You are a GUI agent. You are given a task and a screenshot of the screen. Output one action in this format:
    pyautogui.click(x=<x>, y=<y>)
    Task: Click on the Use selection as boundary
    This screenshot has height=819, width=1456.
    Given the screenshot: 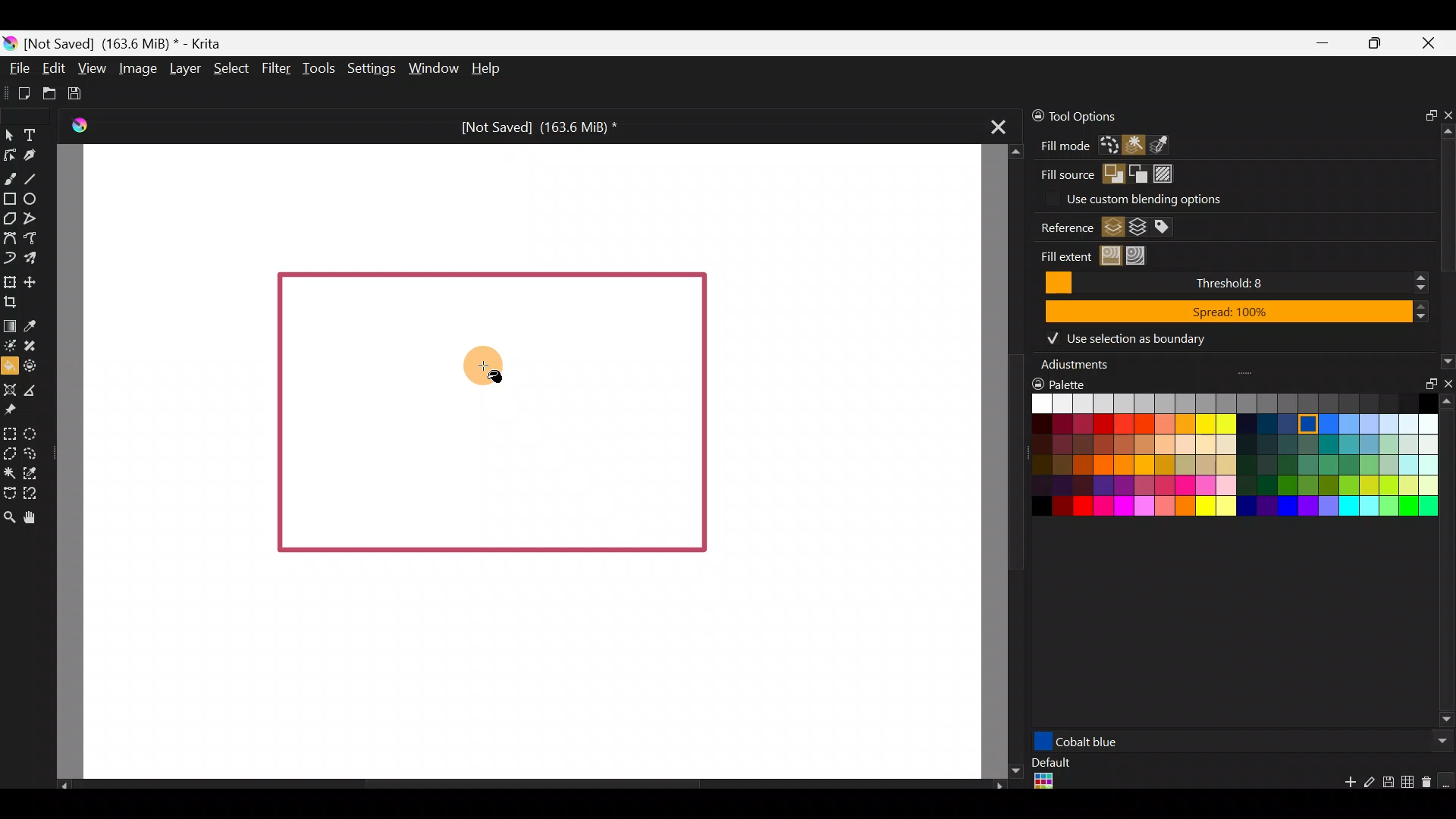 What is the action you would take?
    pyautogui.click(x=1128, y=337)
    